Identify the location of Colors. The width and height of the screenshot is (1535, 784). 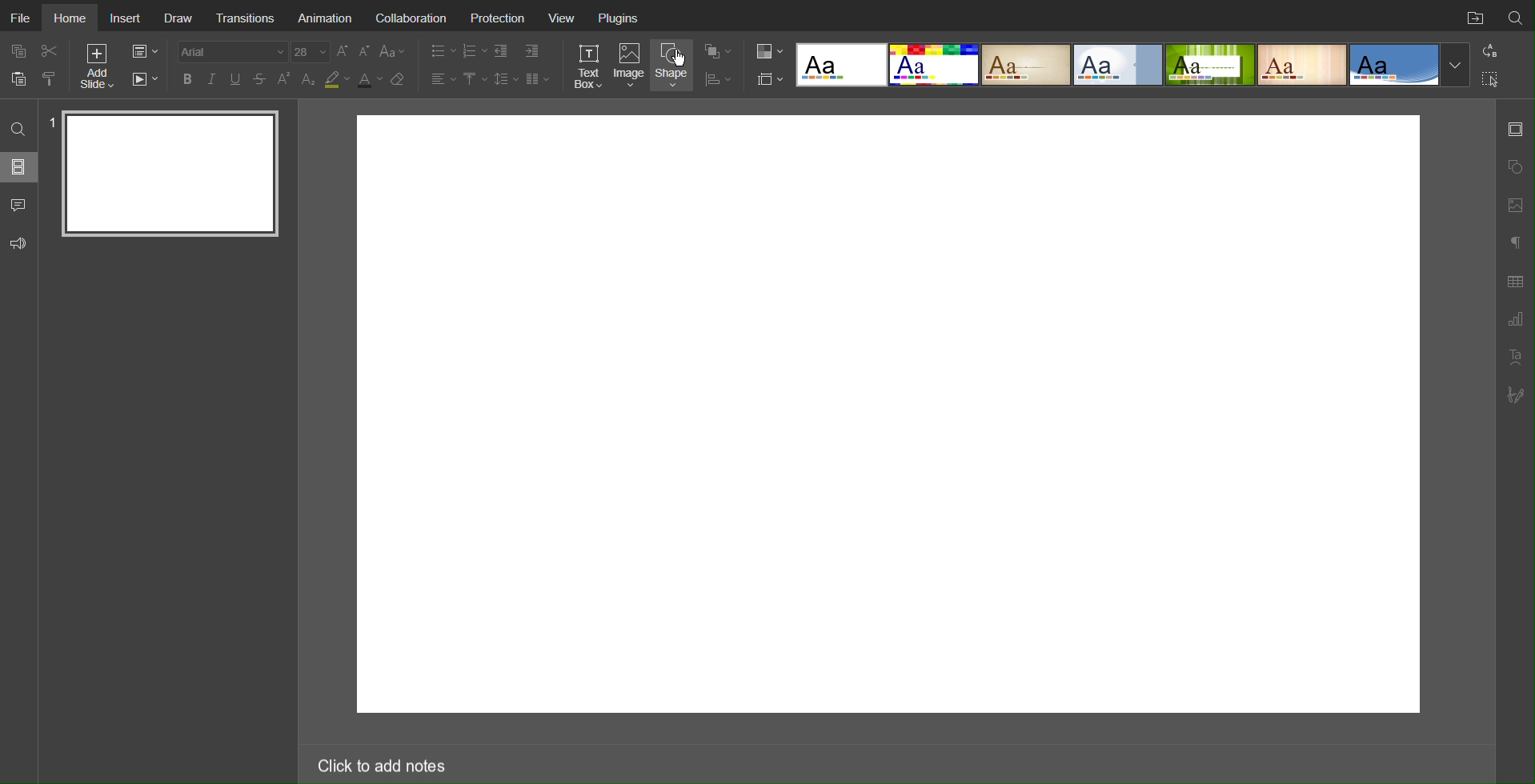
(767, 50).